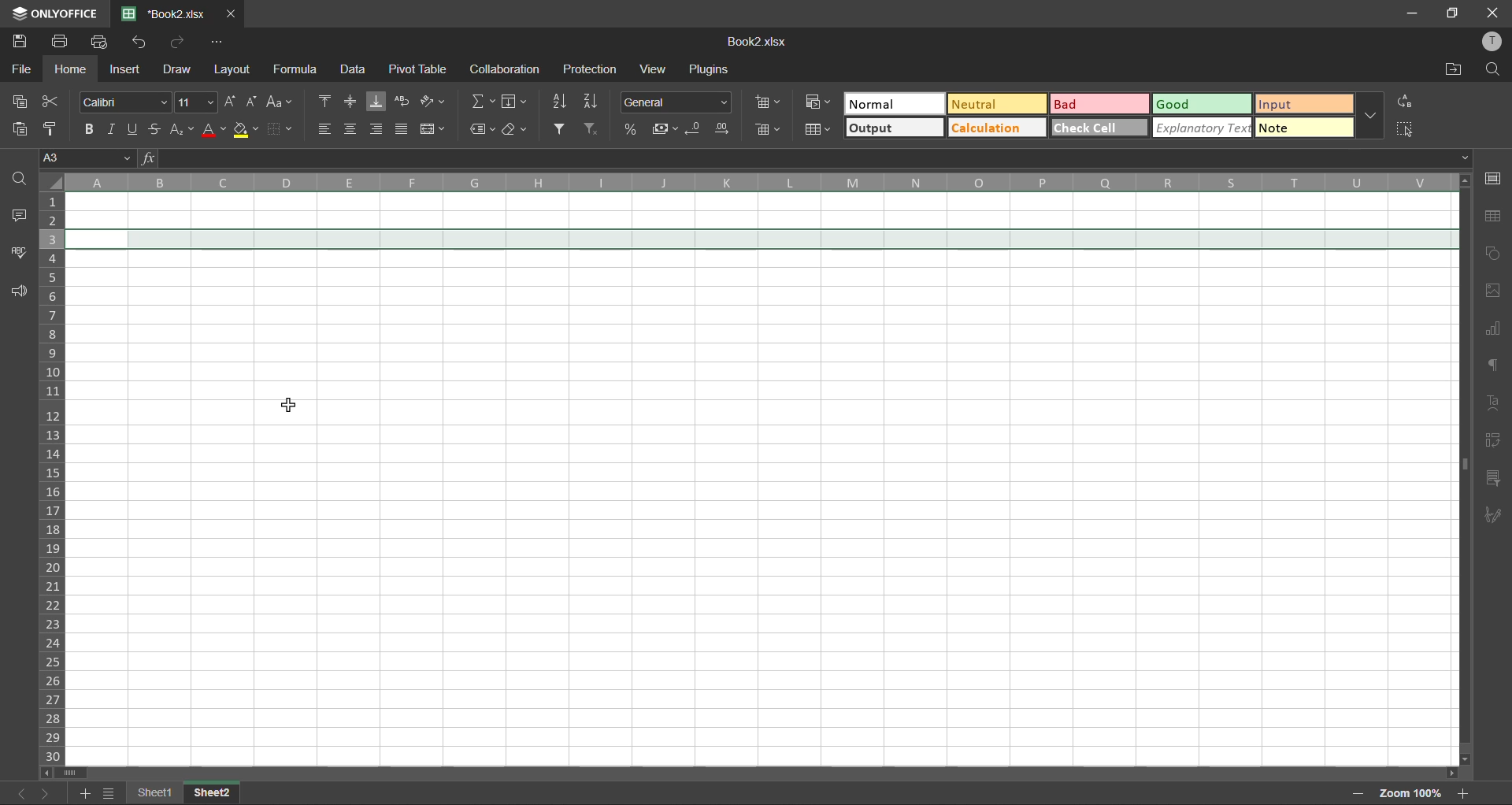  What do you see at coordinates (1408, 103) in the screenshot?
I see `replace` at bounding box center [1408, 103].